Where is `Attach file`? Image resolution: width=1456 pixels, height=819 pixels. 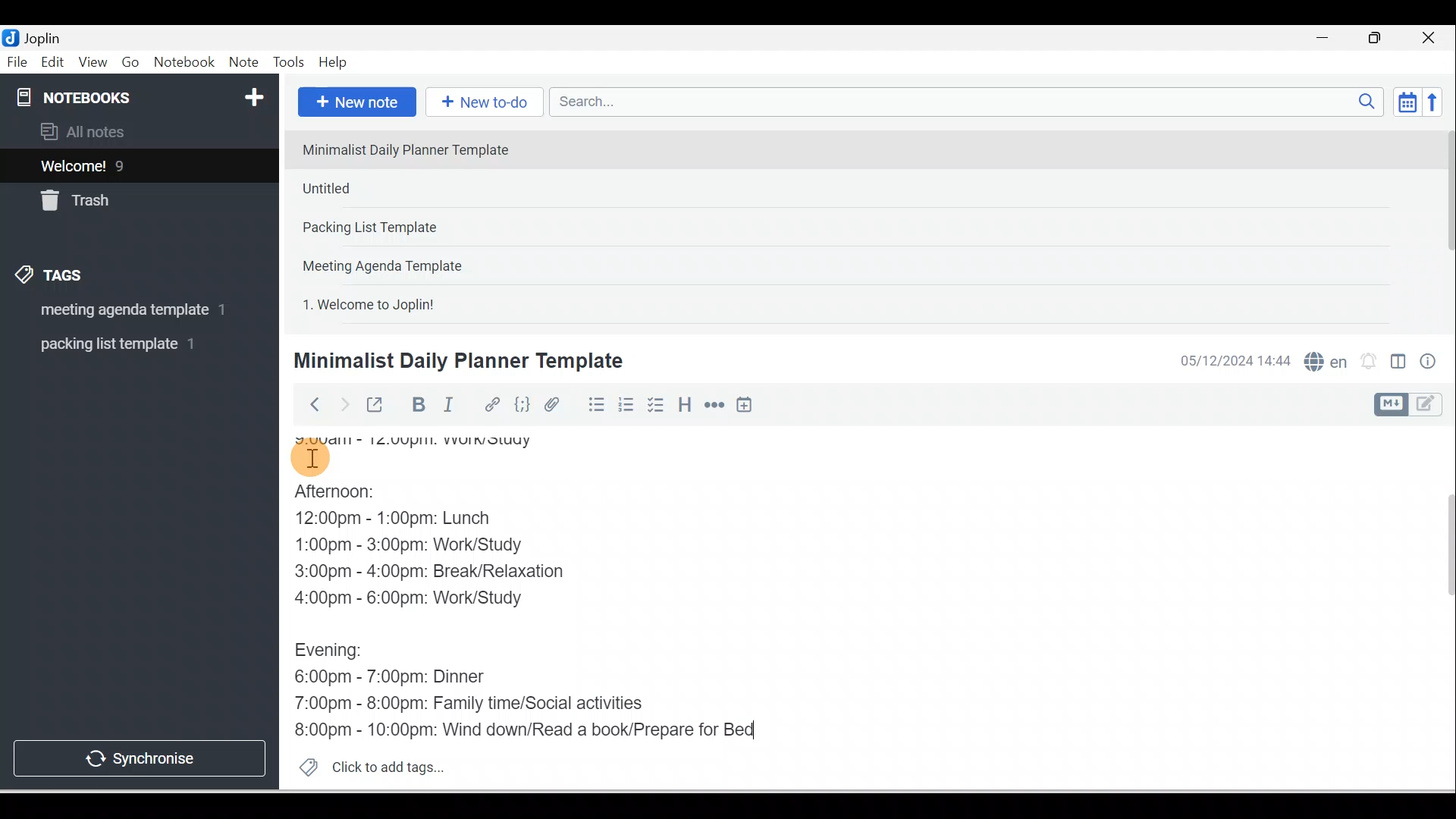 Attach file is located at coordinates (556, 404).